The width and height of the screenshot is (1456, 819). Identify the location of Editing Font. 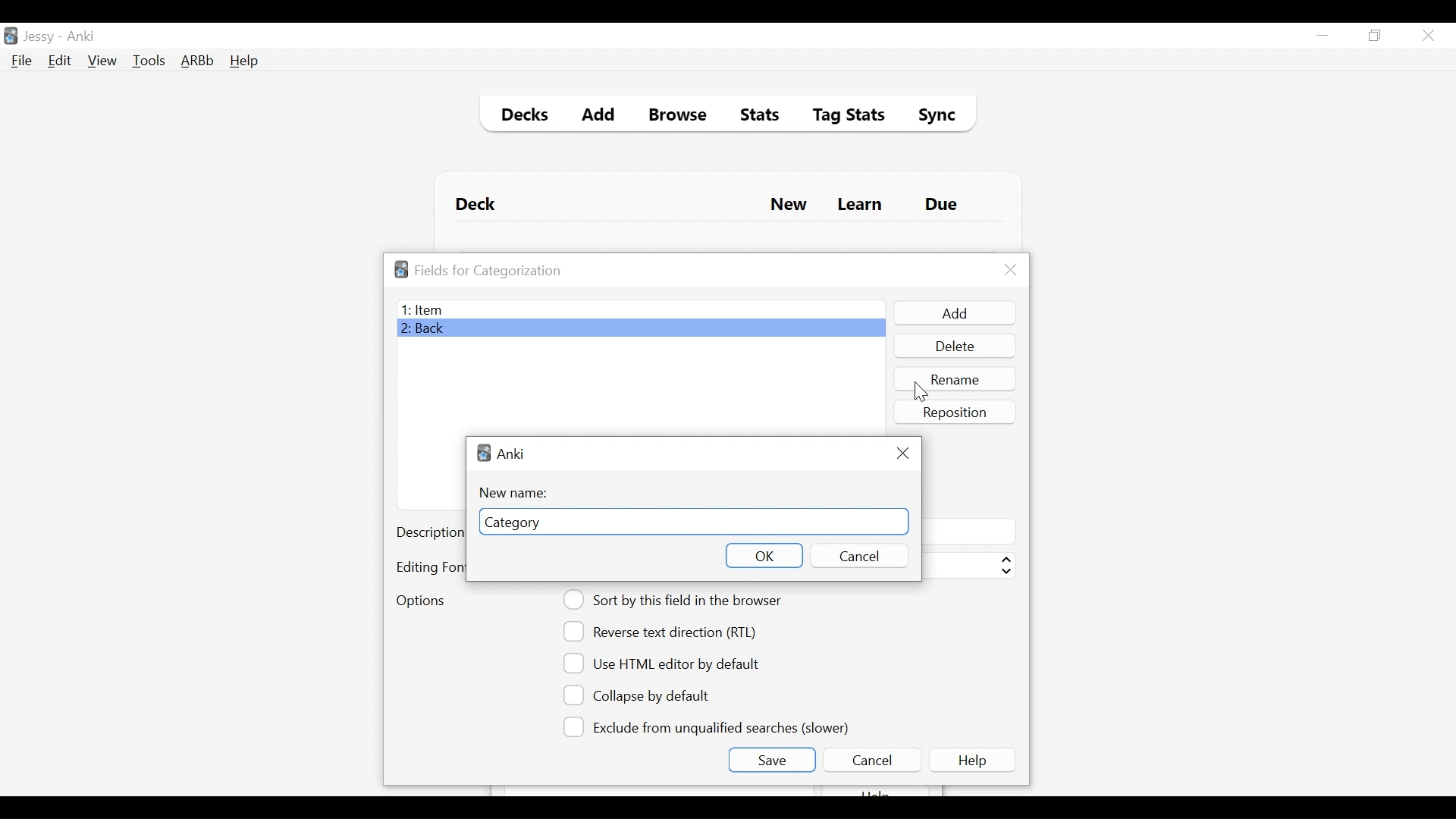
(429, 567).